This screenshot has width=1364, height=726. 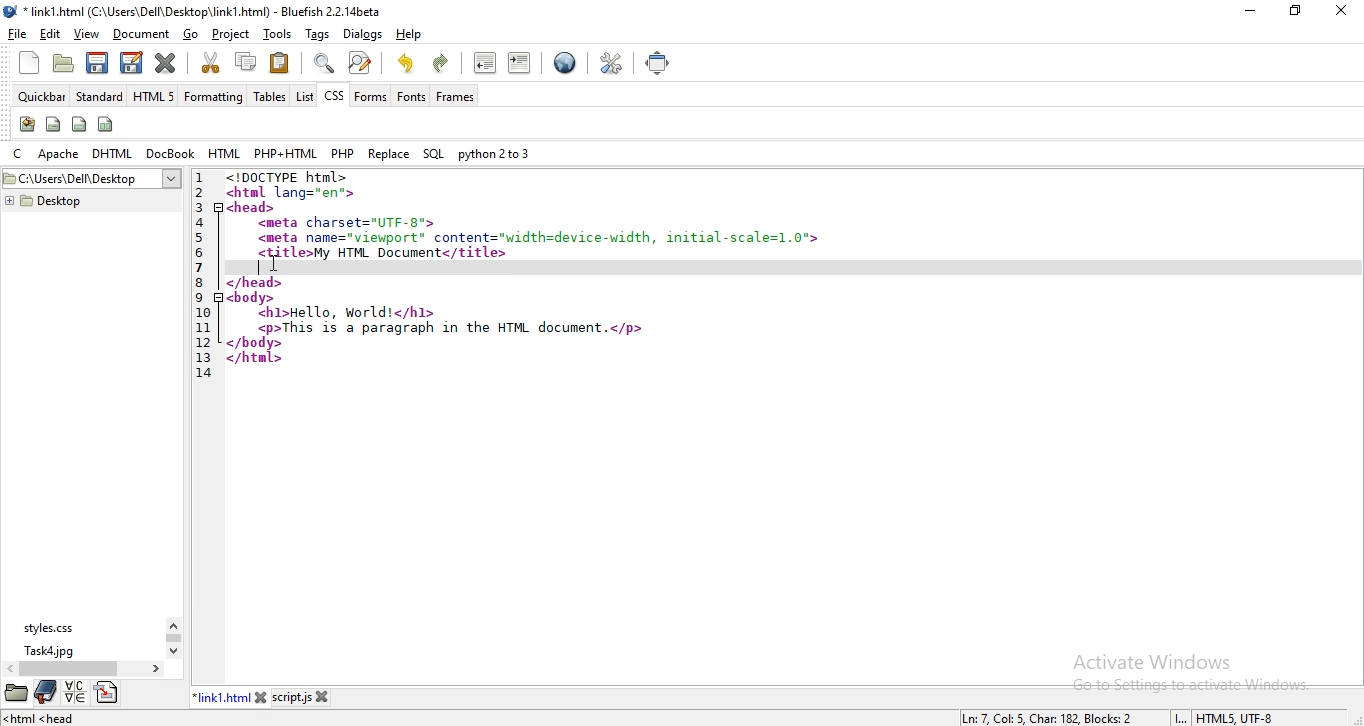 What do you see at coordinates (263, 695) in the screenshot?
I see `close` at bounding box center [263, 695].